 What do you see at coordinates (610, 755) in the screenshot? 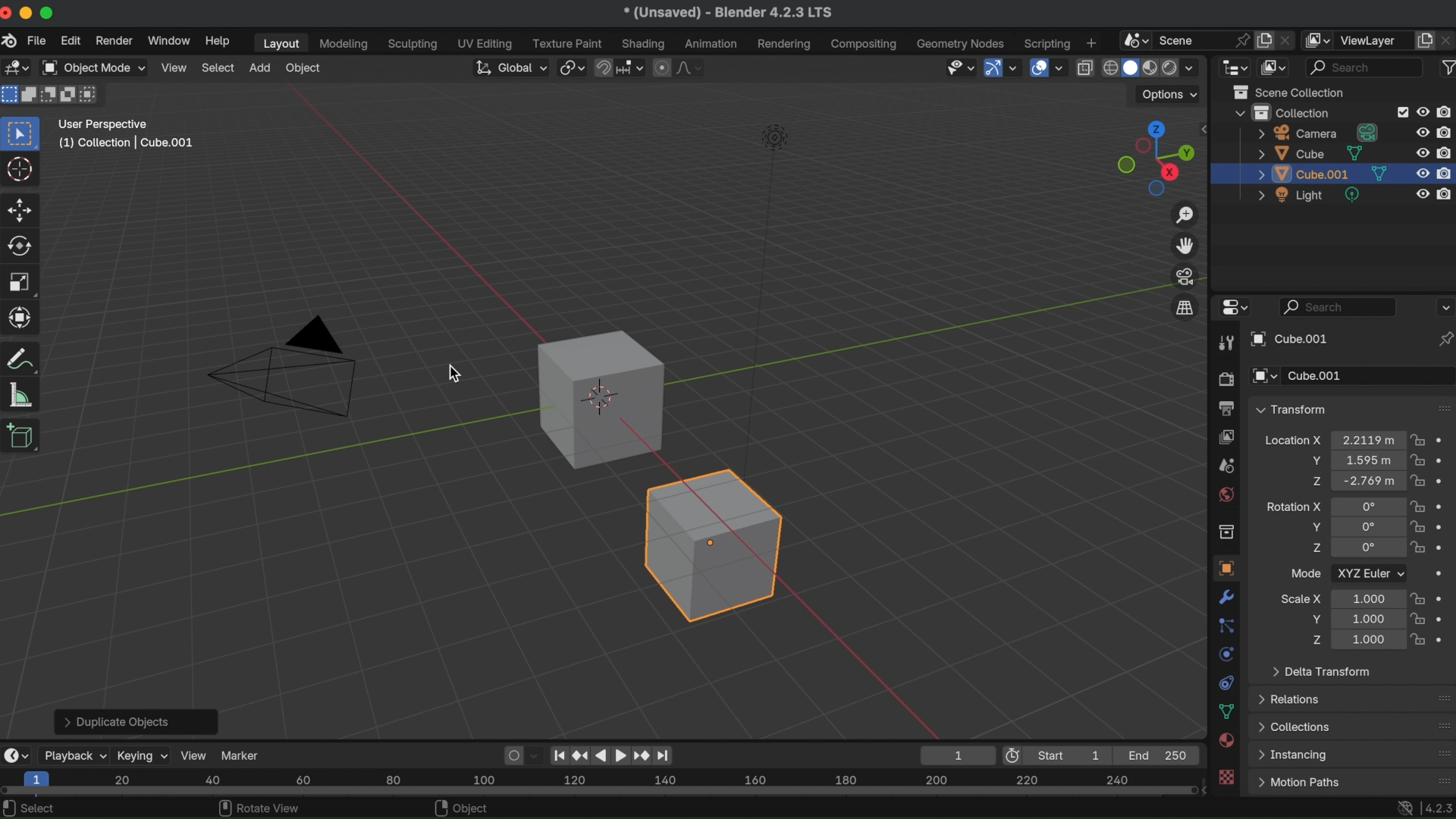
I see `play animation` at bounding box center [610, 755].